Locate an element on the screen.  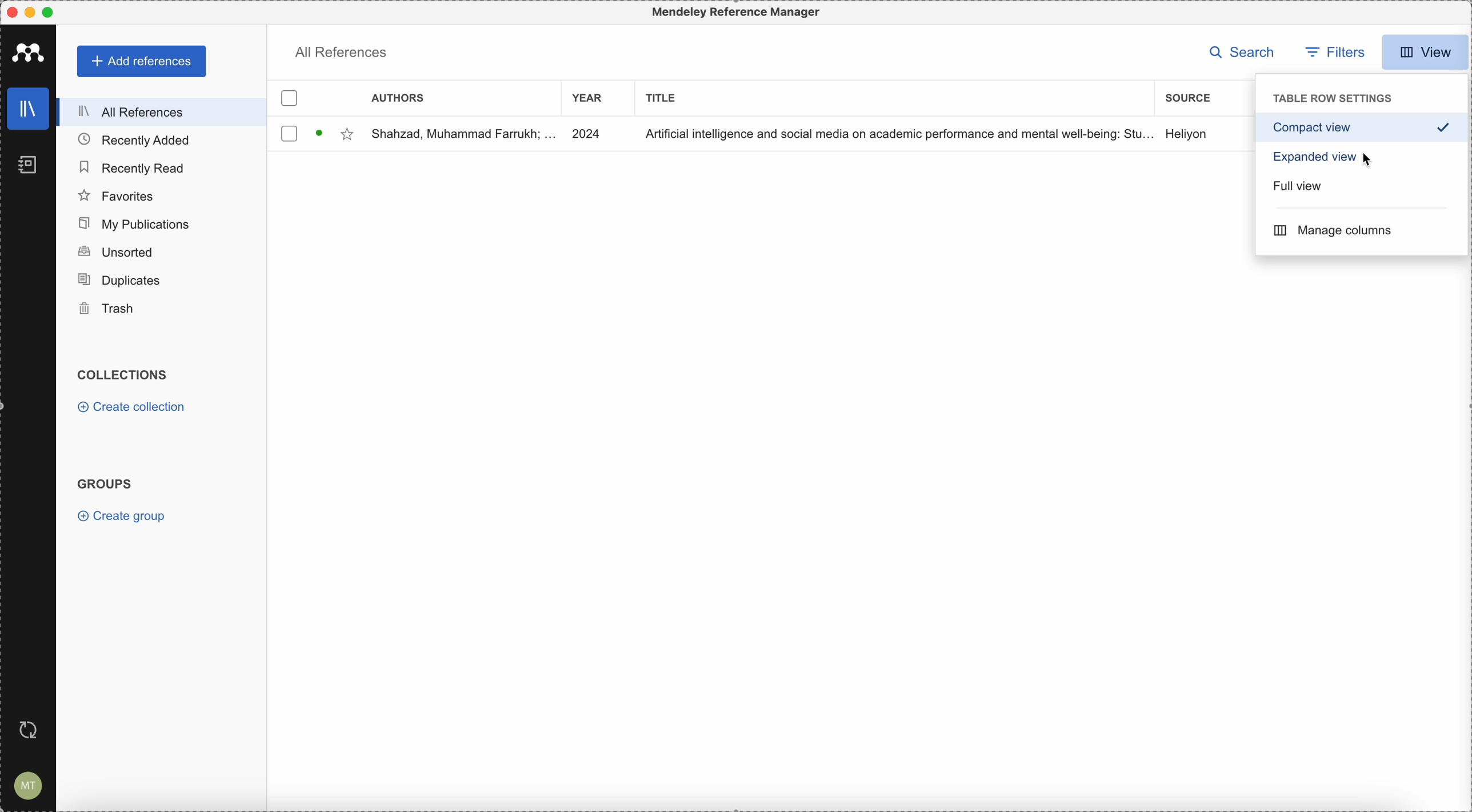
notebooks is located at coordinates (29, 166).